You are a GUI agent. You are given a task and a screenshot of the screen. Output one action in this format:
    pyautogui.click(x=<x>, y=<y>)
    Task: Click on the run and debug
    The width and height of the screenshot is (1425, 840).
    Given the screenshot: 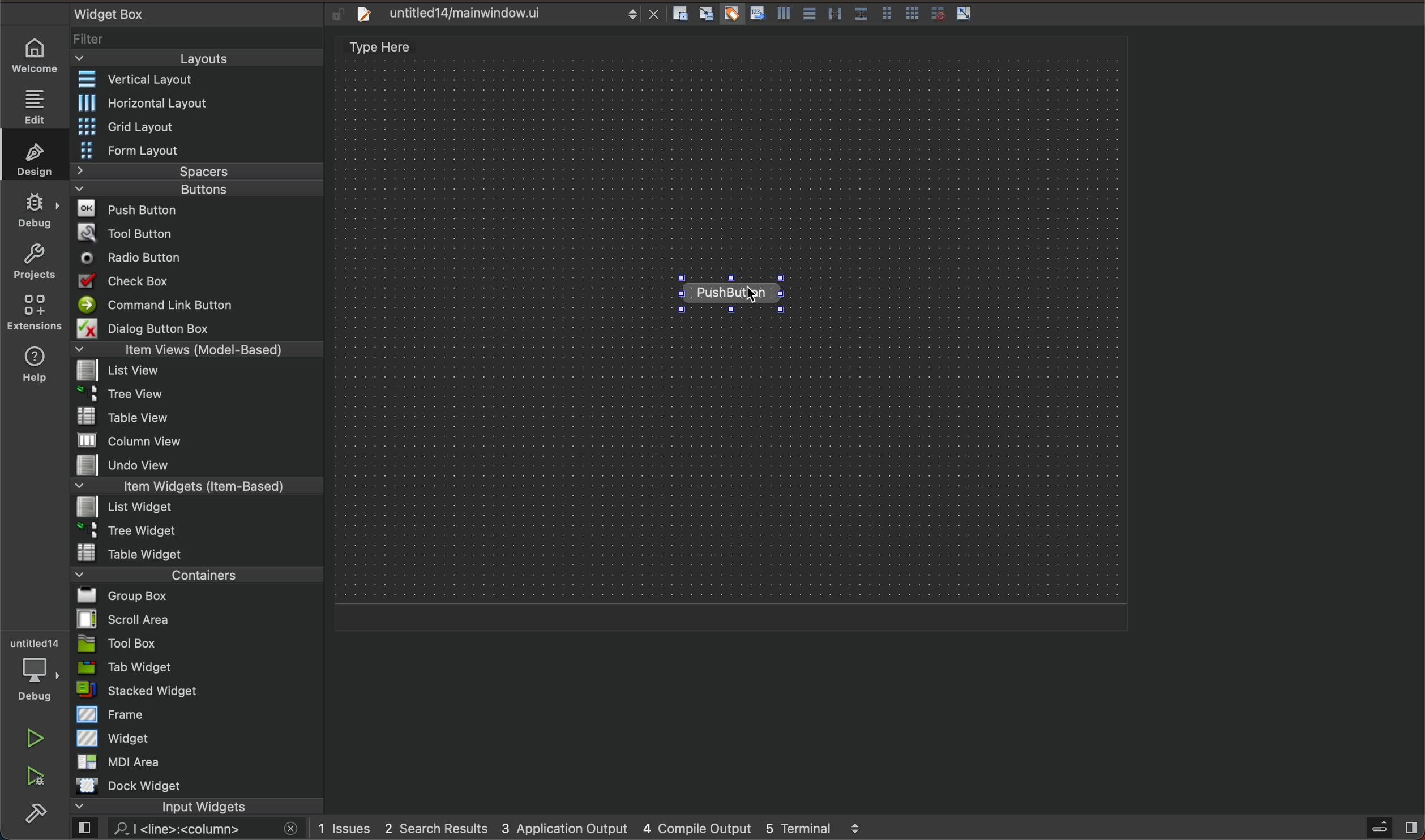 What is the action you would take?
    pyautogui.click(x=36, y=777)
    